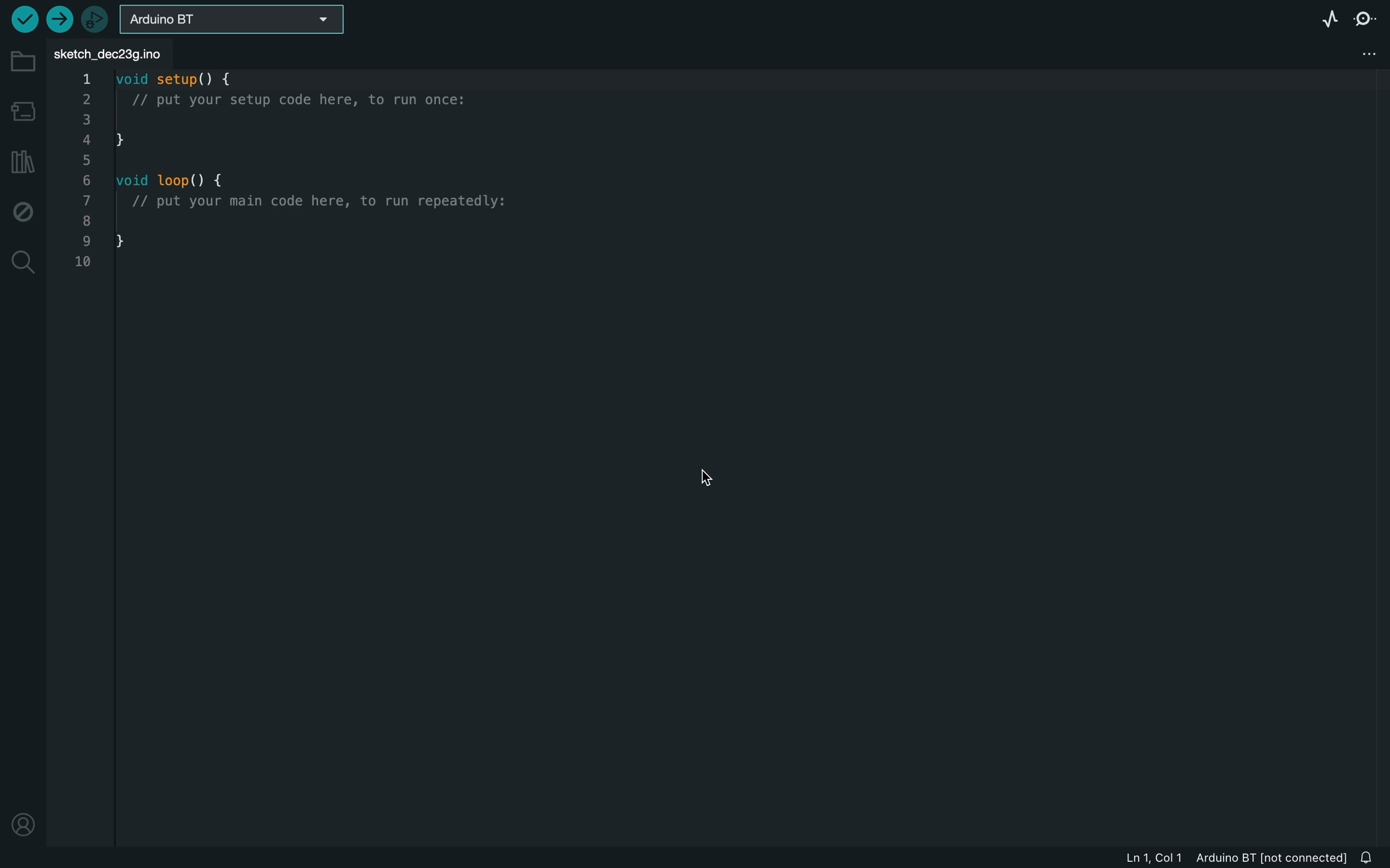 Image resolution: width=1390 pixels, height=868 pixels. What do you see at coordinates (20, 162) in the screenshot?
I see `library manager` at bounding box center [20, 162].